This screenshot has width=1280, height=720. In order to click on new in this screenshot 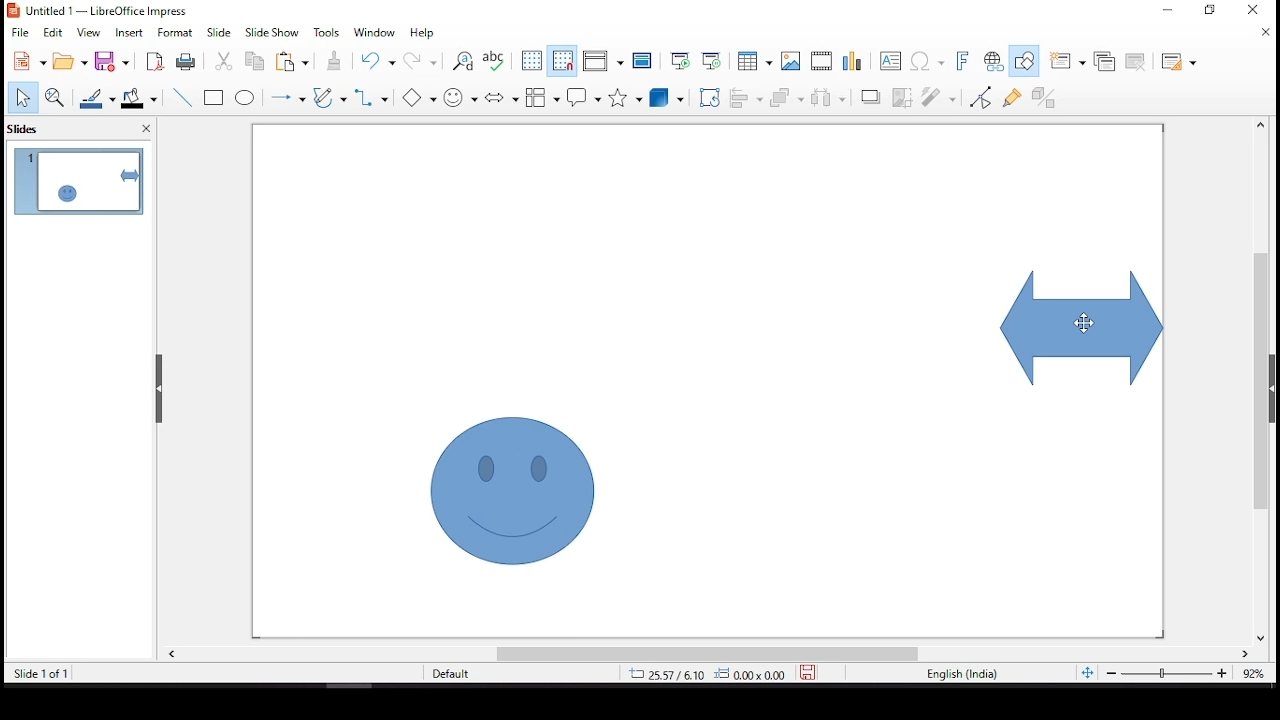, I will do `click(25, 62)`.